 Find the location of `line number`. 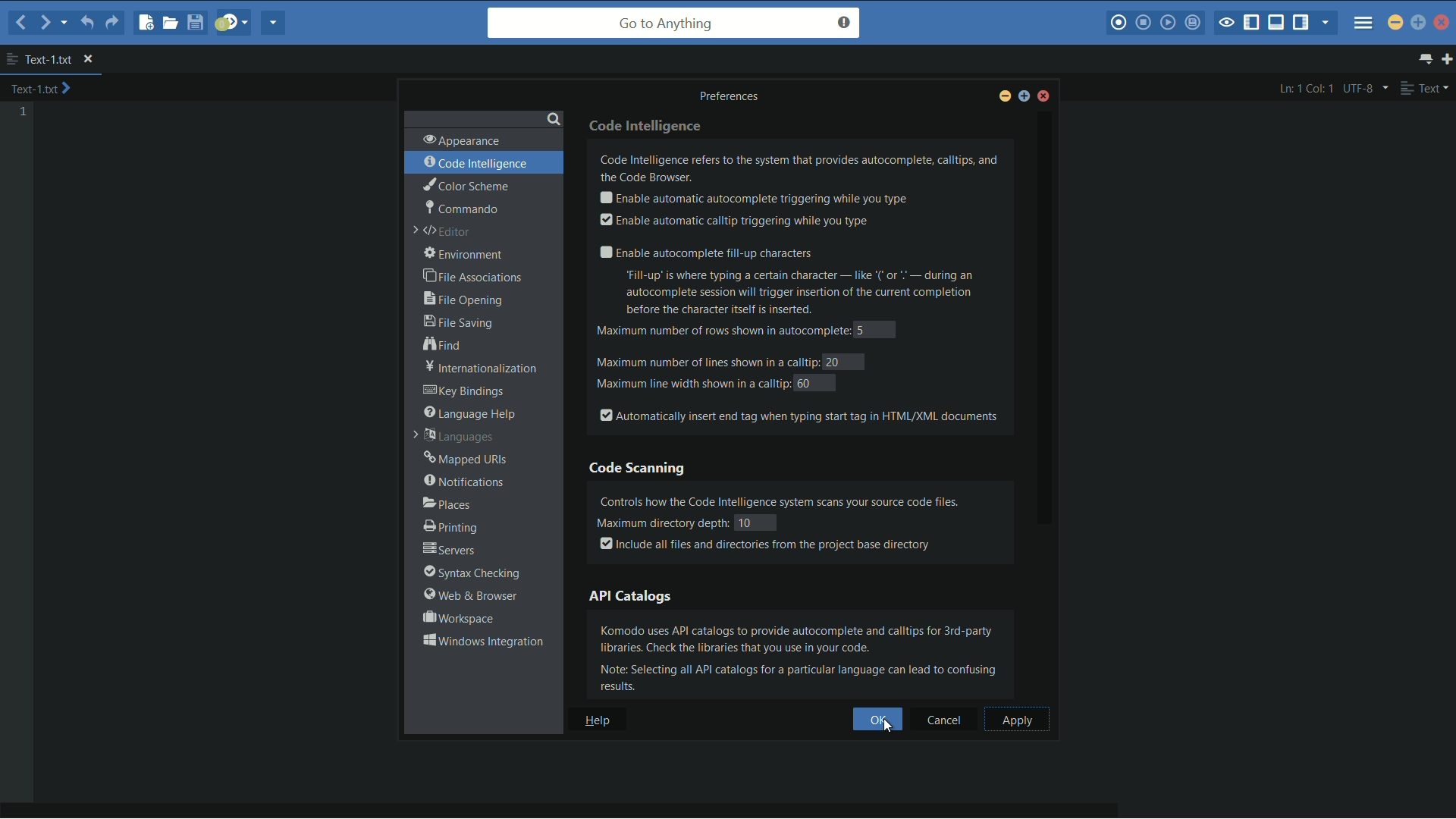

line number is located at coordinates (24, 112).